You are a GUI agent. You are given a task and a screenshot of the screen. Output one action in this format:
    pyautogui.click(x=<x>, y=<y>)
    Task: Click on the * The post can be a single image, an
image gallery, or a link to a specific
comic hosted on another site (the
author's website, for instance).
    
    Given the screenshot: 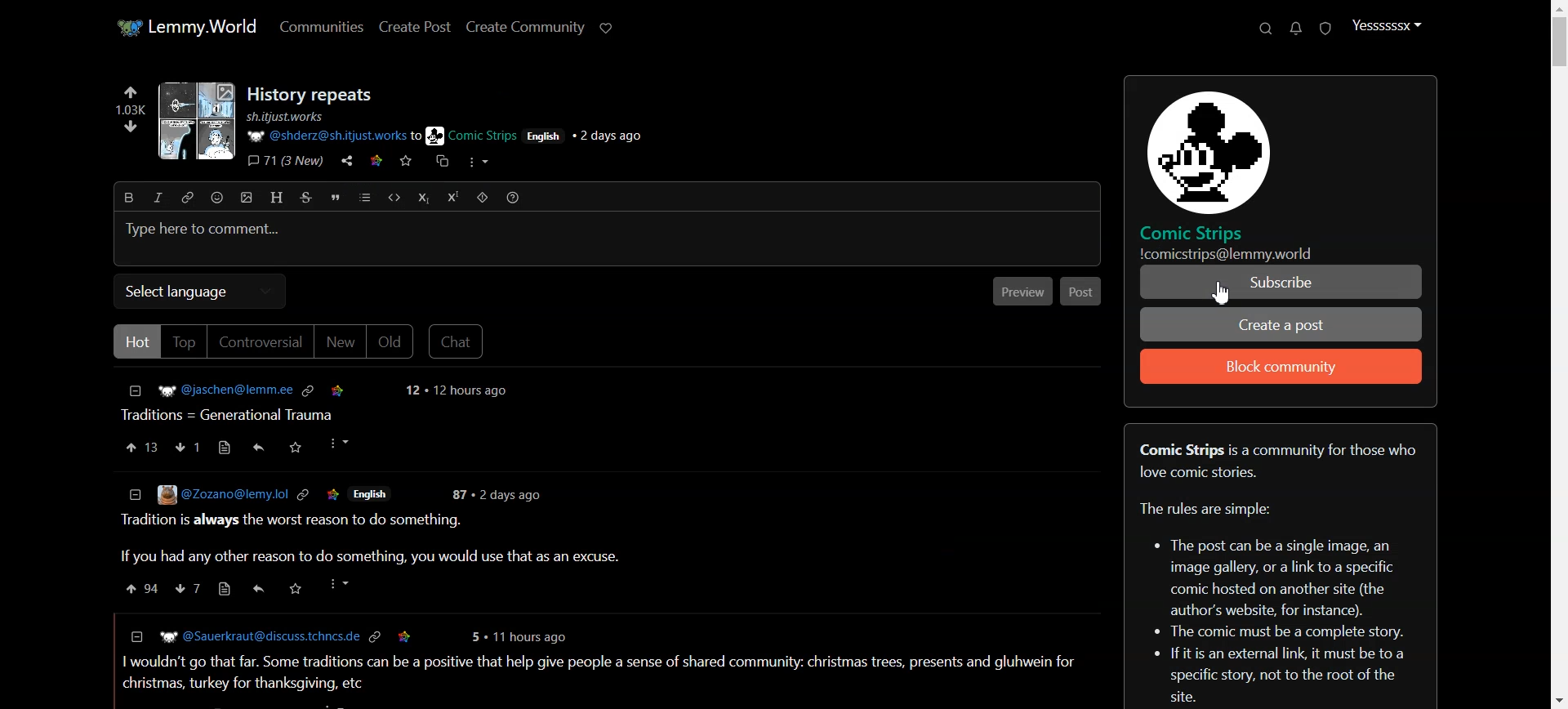 What is the action you would take?
    pyautogui.click(x=1282, y=573)
    